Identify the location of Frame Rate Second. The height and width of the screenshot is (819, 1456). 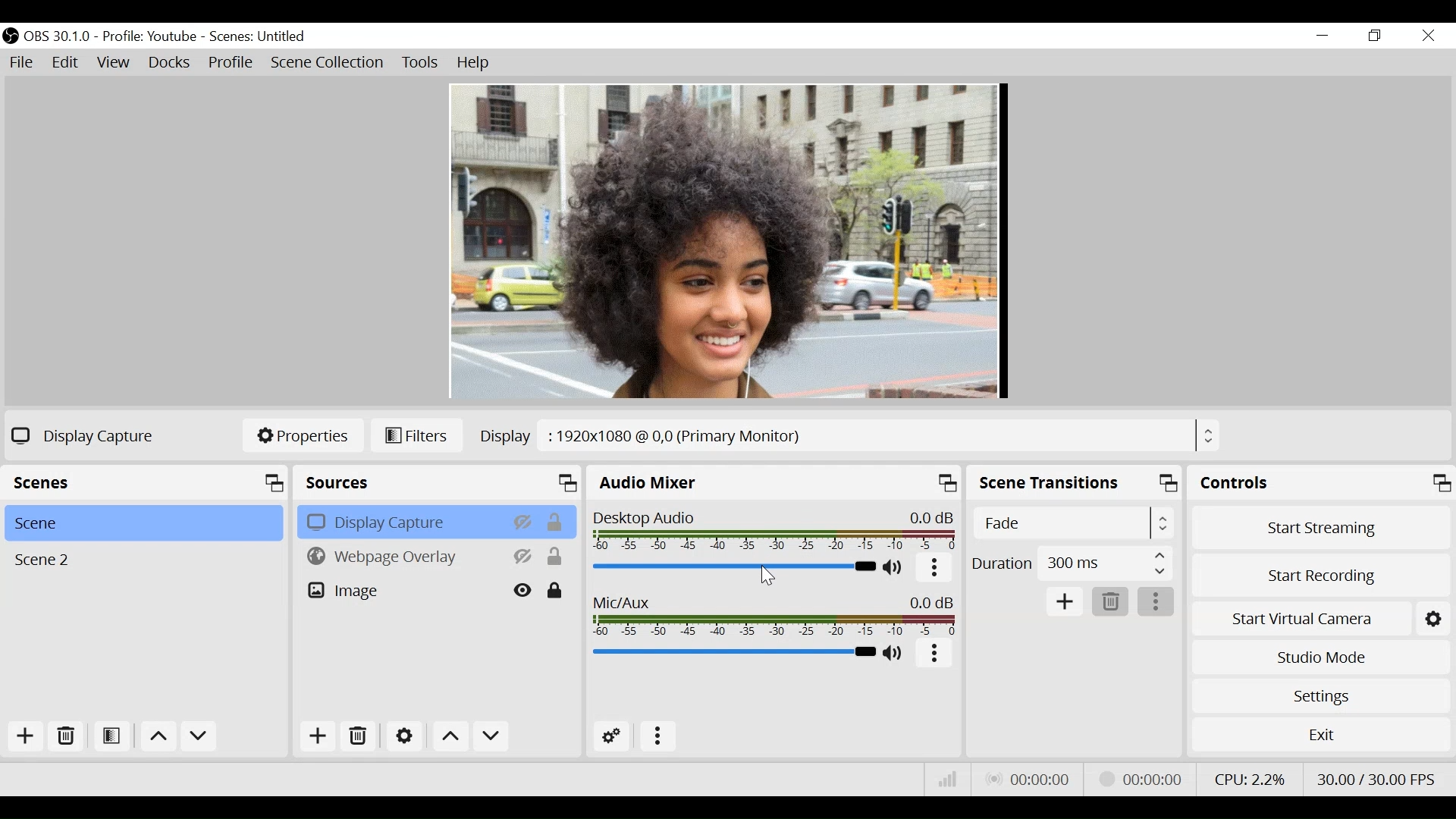
(1379, 779).